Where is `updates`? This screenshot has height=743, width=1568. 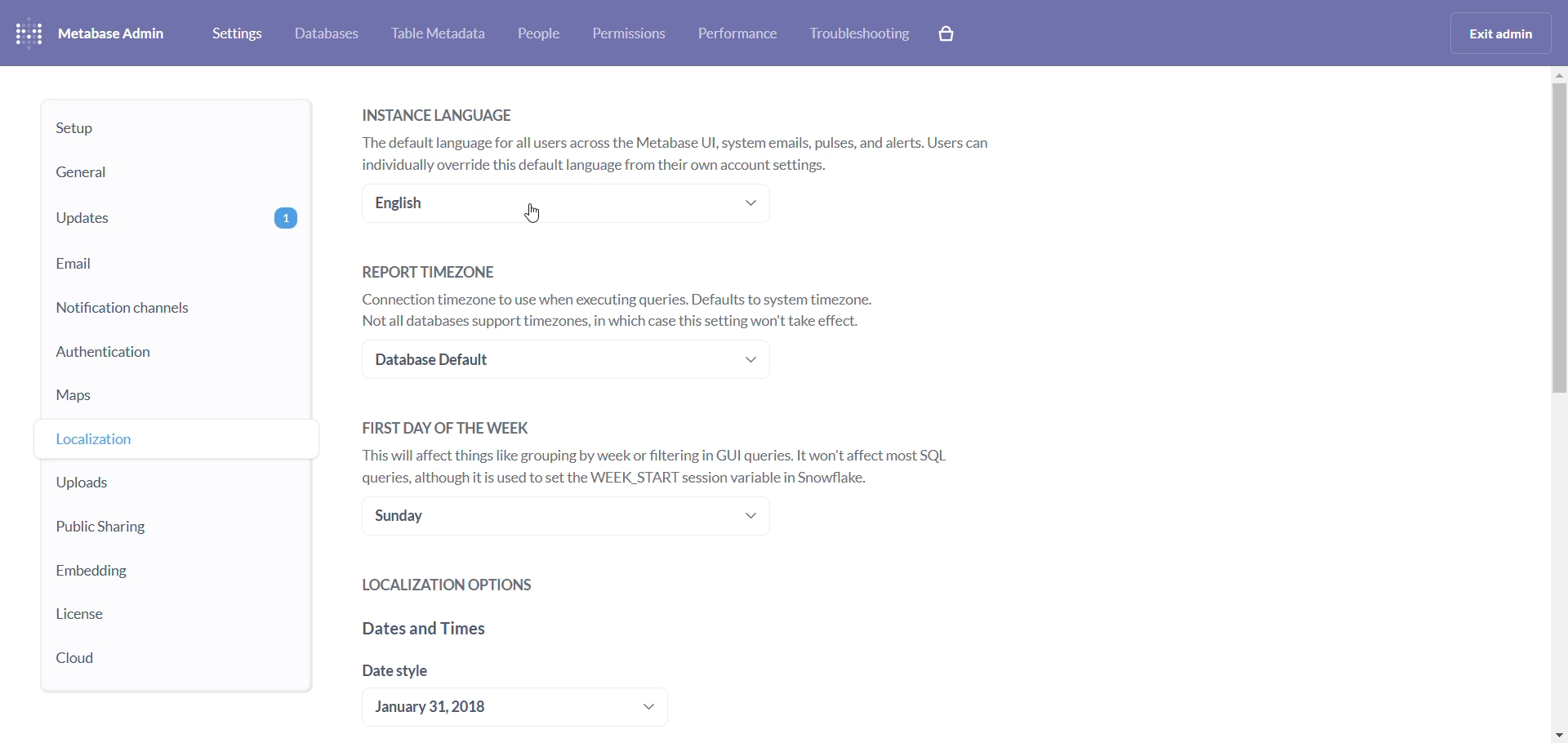
updates is located at coordinates (171, 215).